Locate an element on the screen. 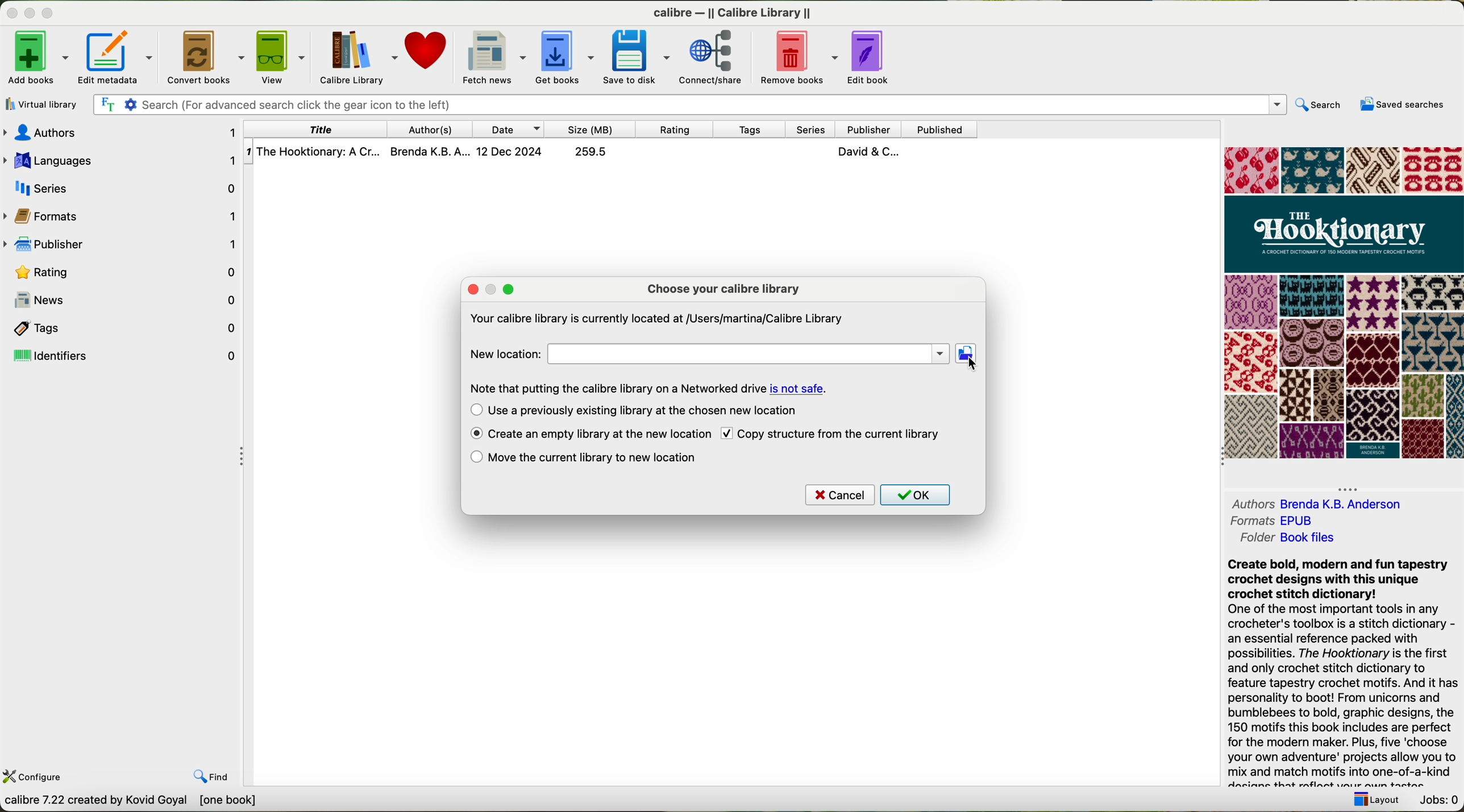 The height and width of the screenshot is (812, 1464). Find the text is located at coordinates (106, 103).